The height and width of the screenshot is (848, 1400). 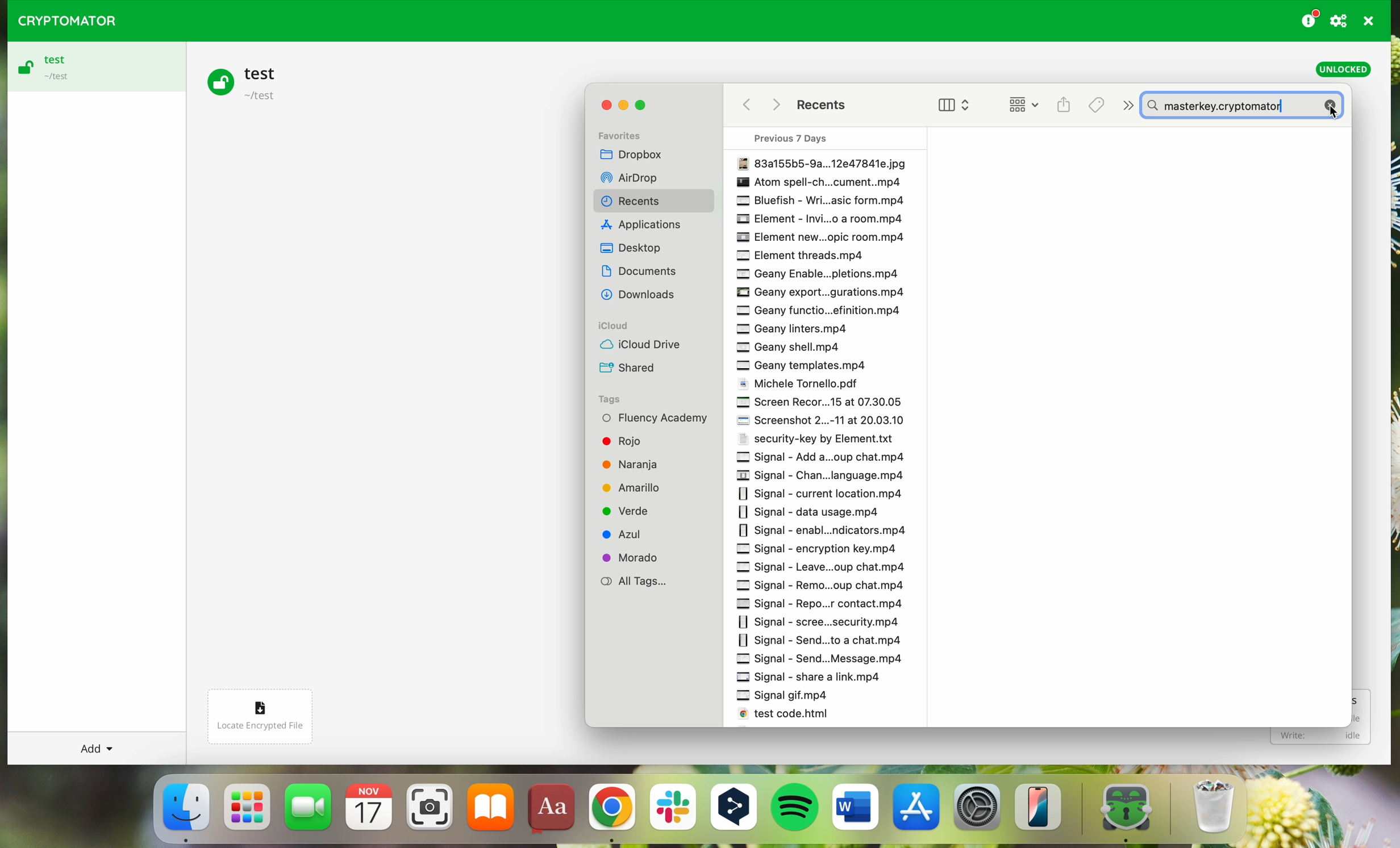 What do you see at coordinates (918, 811) in the screenshot?
I see `Appstore` at bounding box center [918, 811].